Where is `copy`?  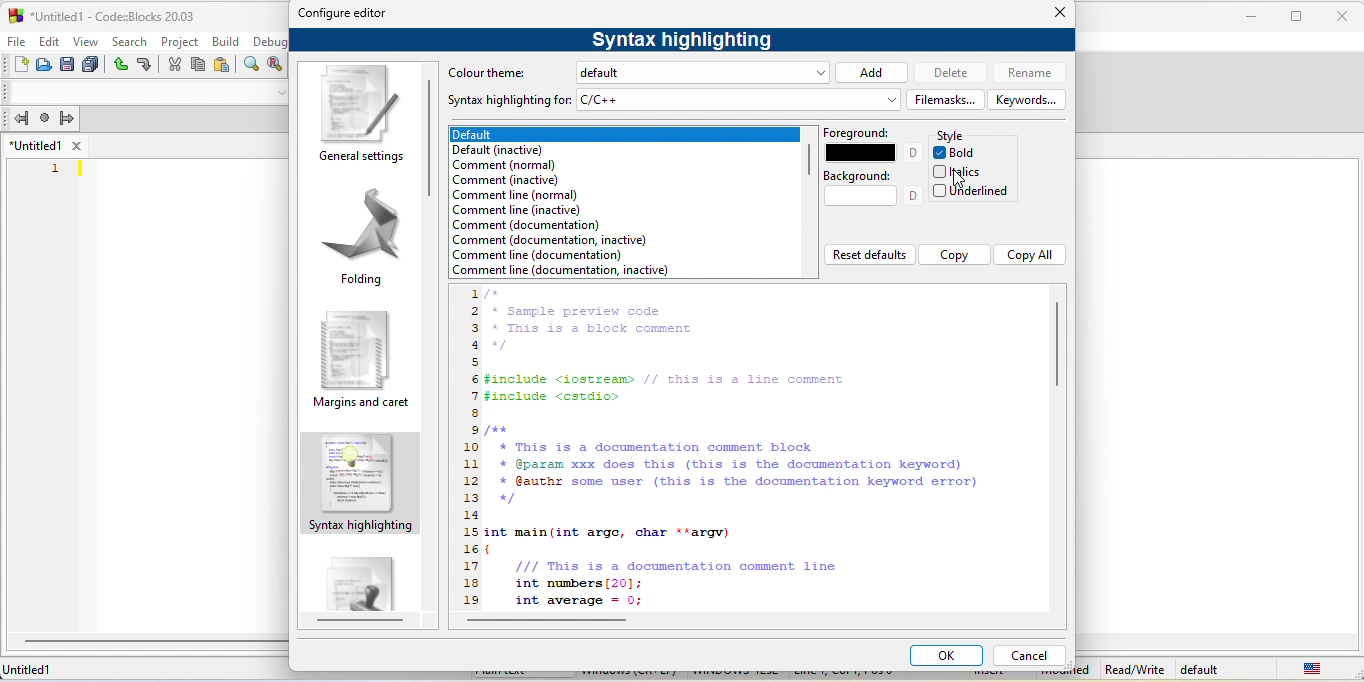
copy is located at coordinates (198, 64).